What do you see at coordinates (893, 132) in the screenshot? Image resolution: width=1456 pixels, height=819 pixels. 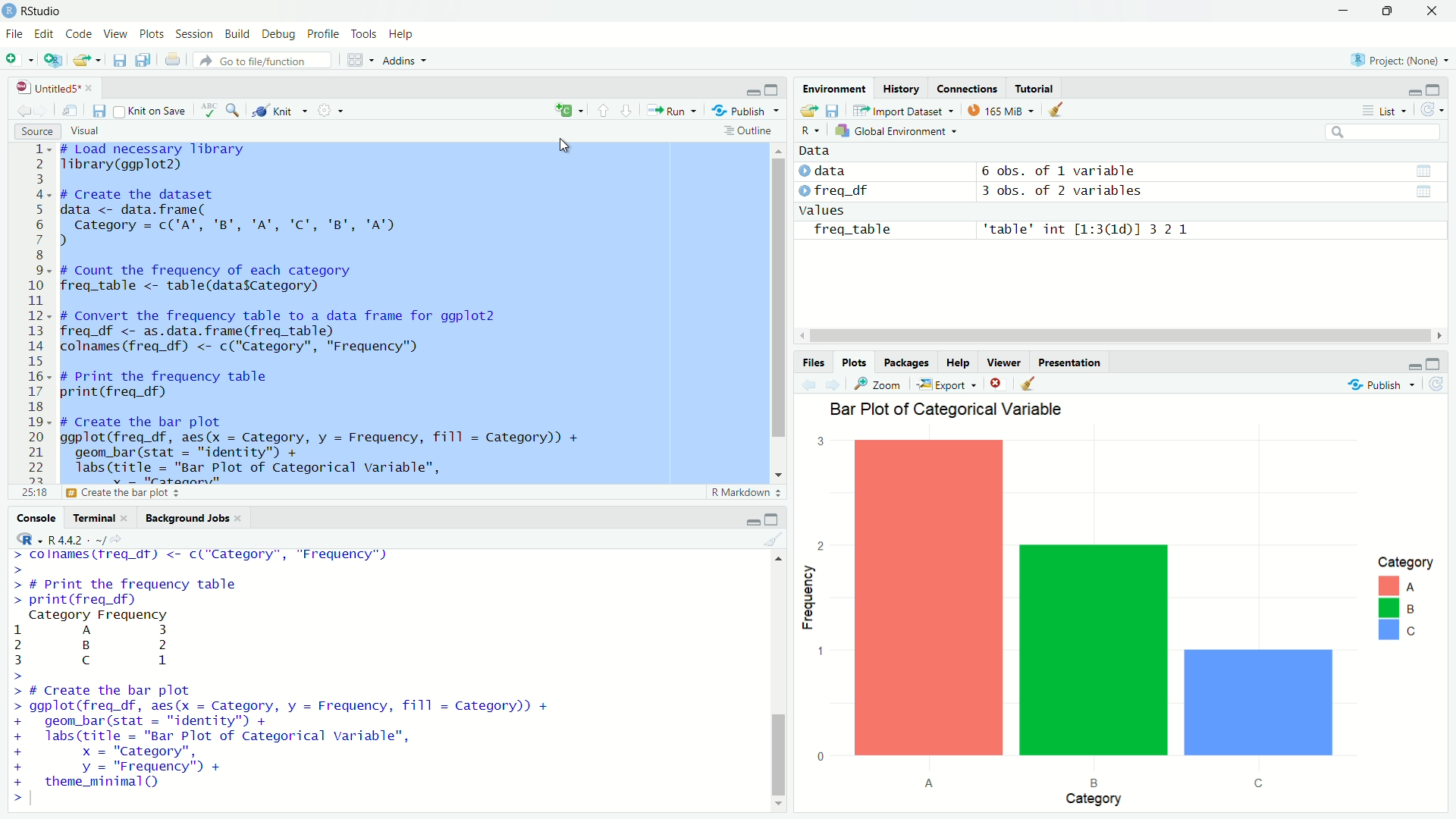 I see `Global Environment` at bounding box center [893, 132].